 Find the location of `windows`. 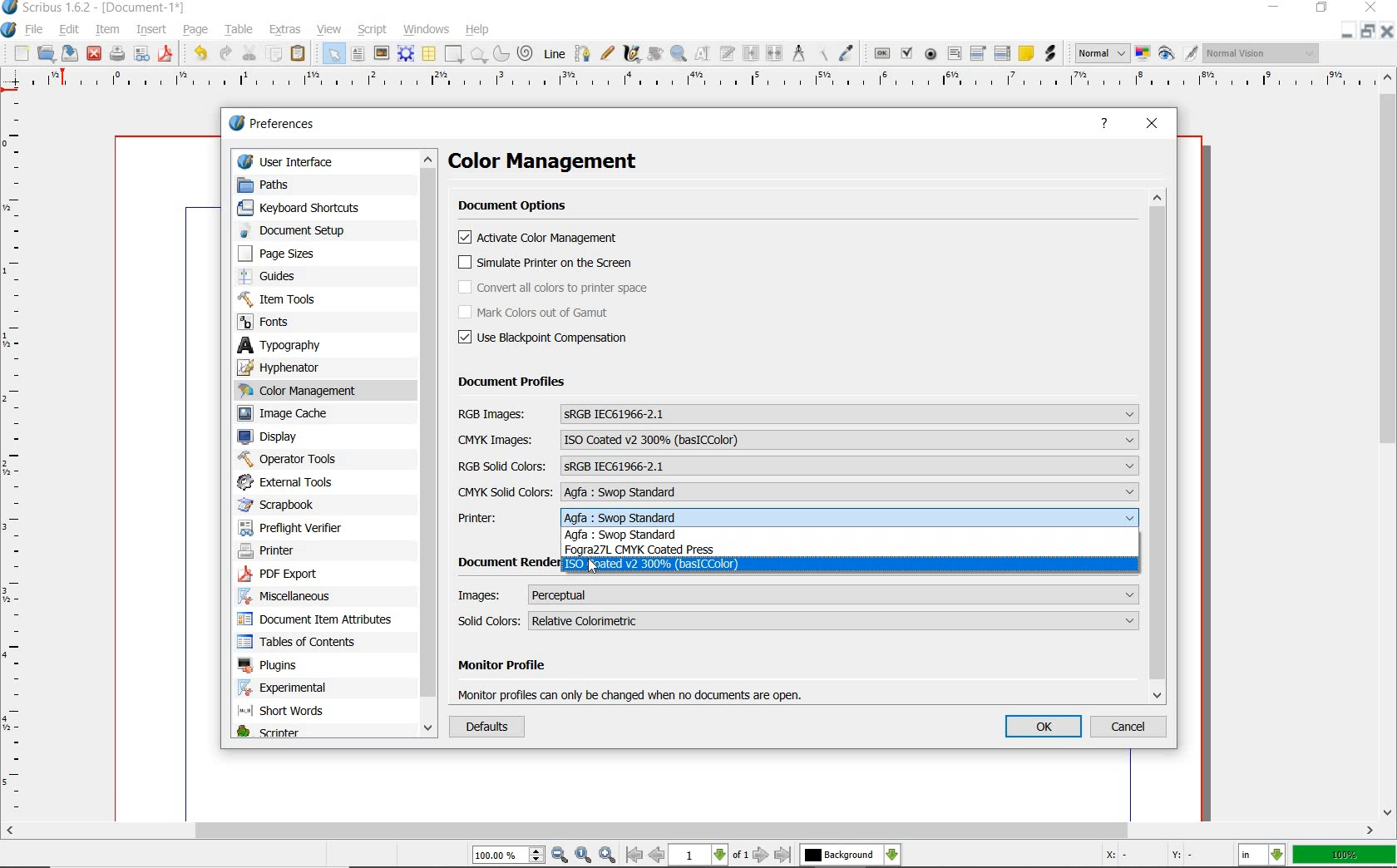

windows is located at coordinates (427, 28).